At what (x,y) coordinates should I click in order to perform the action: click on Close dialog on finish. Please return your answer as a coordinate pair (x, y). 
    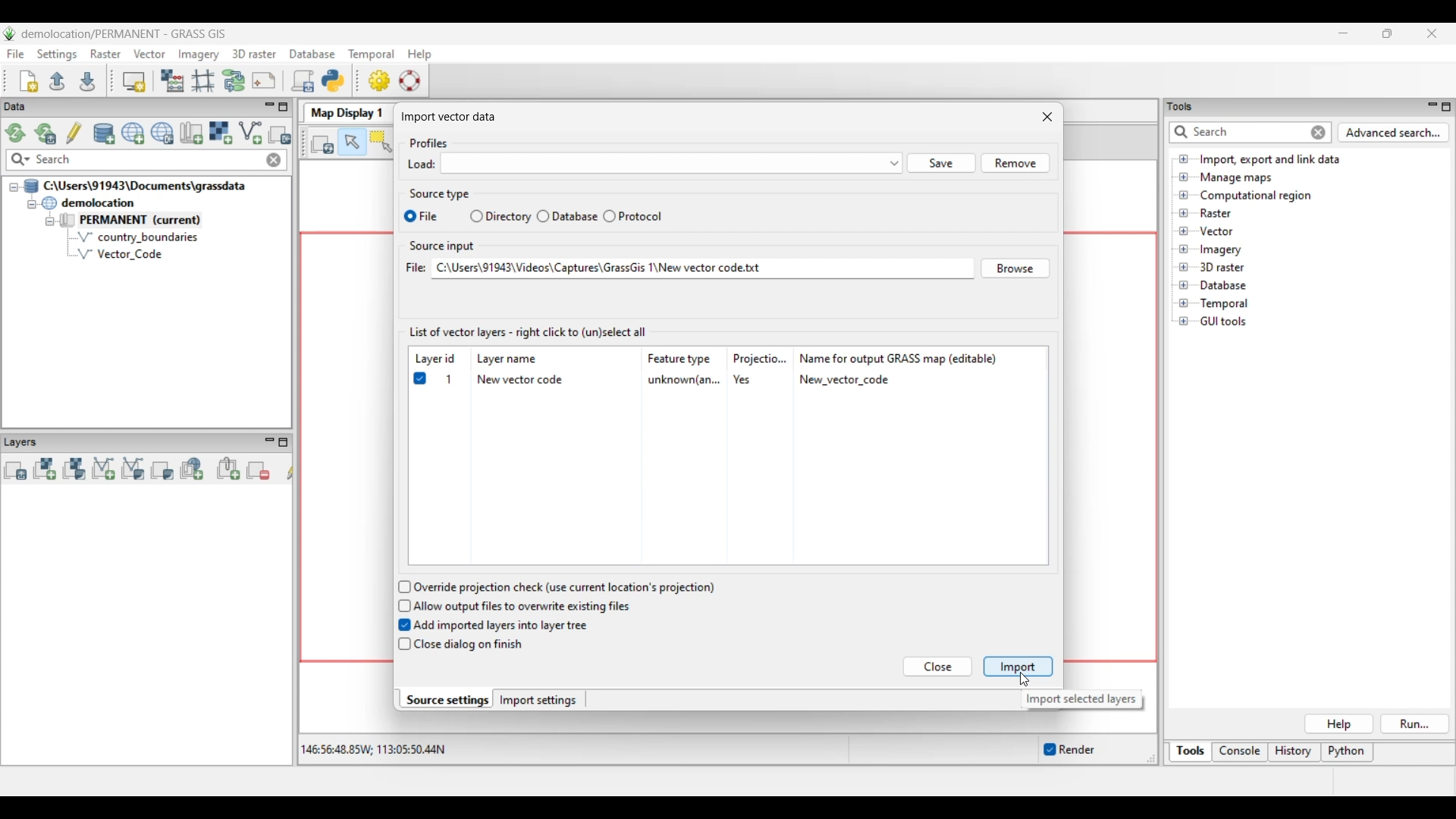
    Looking at the image, I should click on (460, 645).